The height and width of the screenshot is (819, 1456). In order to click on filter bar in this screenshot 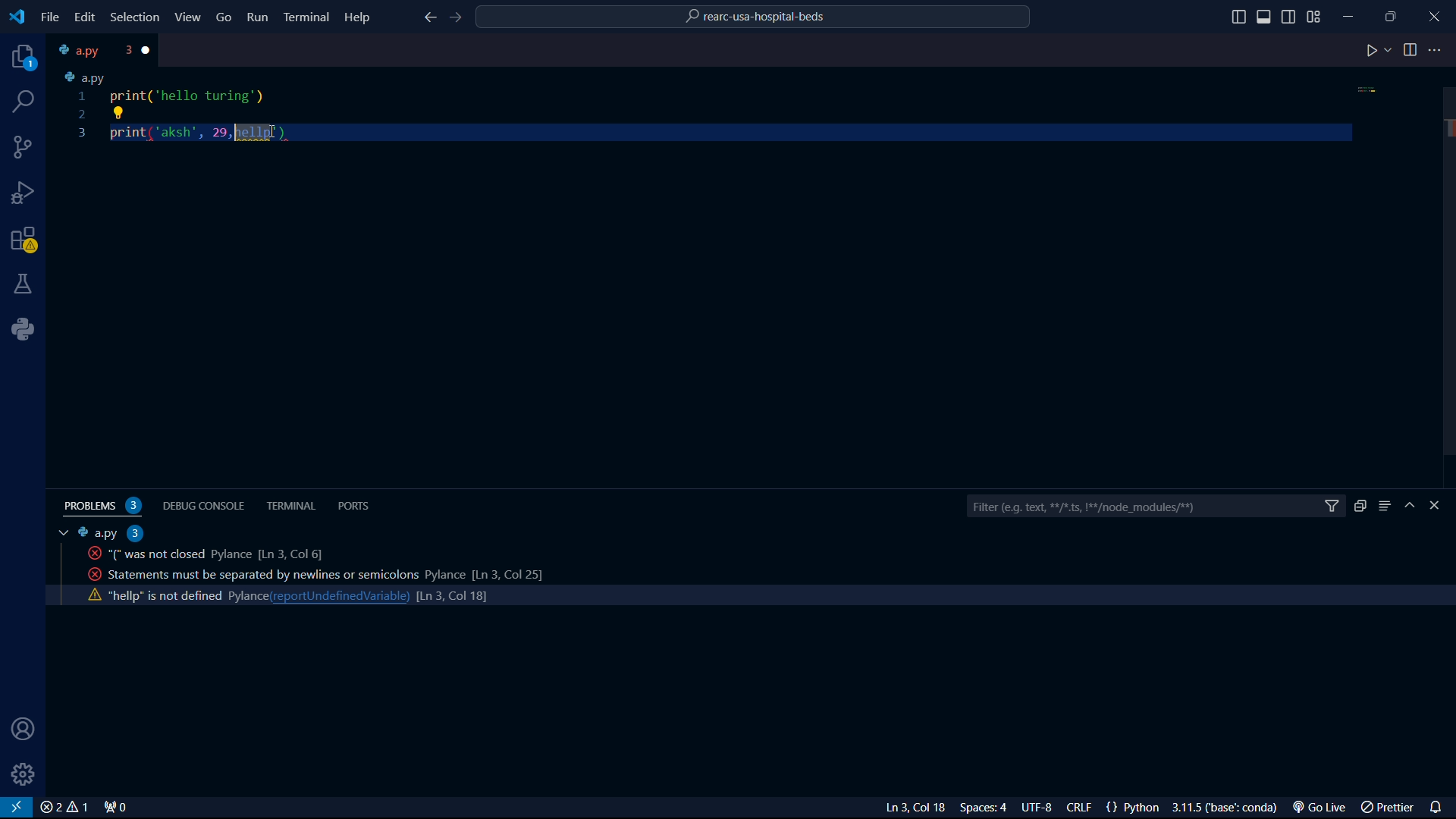, I will do `click(1155, 507)`.